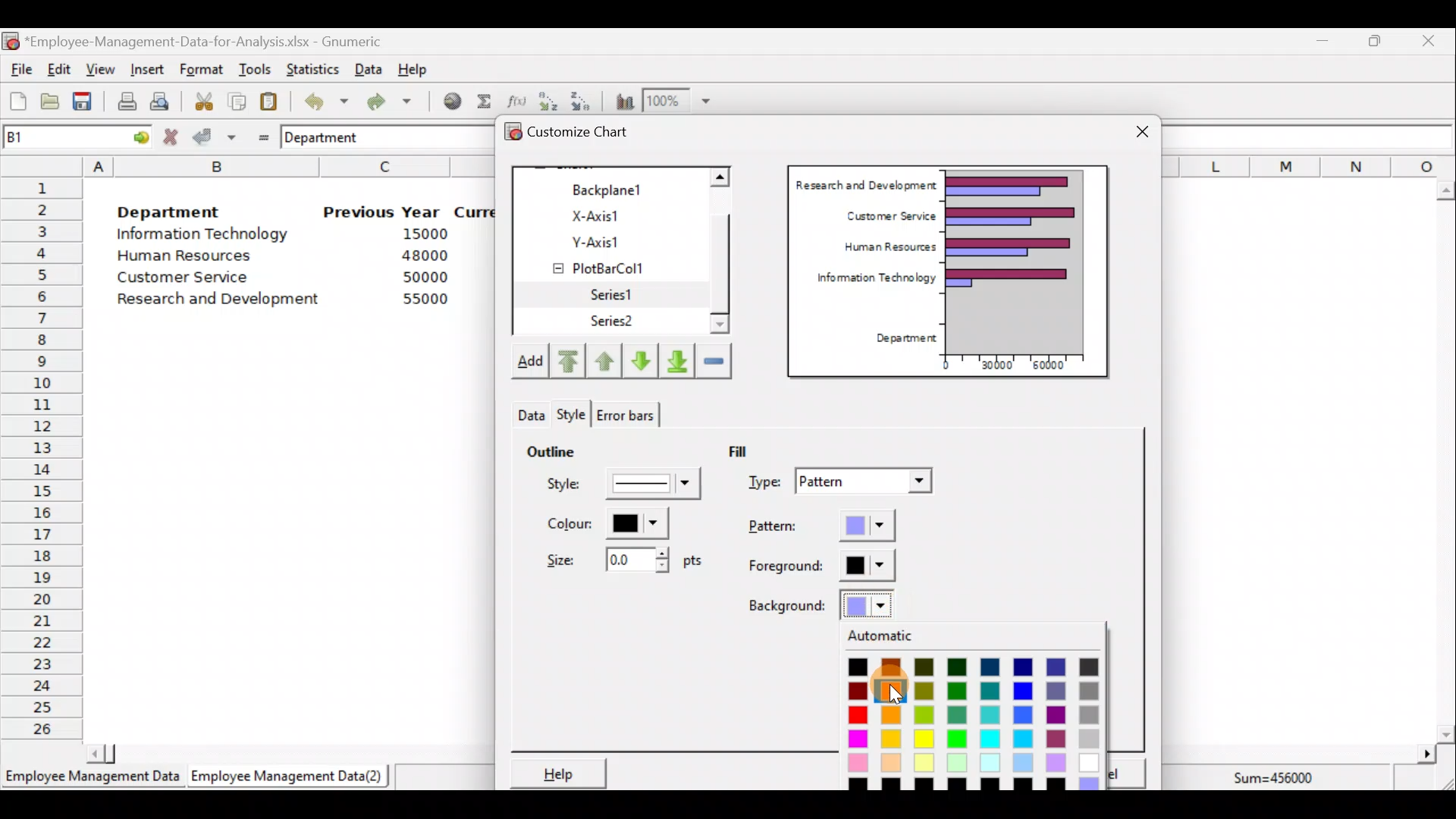 The width and height of the screenshot is (1456, 819). What do you see at coordinates (422, 68) in the screenshot?
I see `Help` at bounding box center [422, 68].